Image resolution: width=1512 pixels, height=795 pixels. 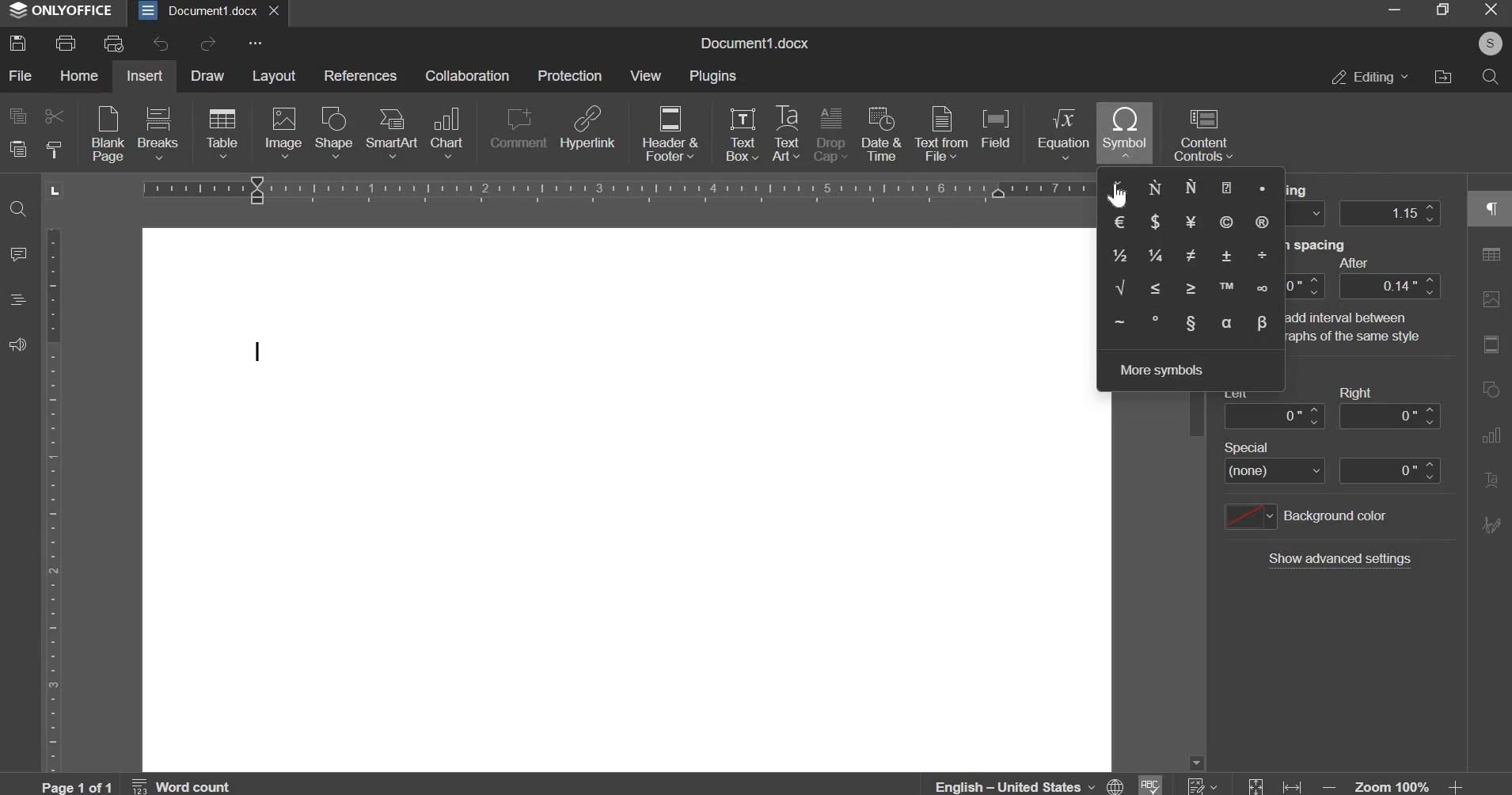 What do you see at coordinates (1332, 471) in the screenshot?
I see `special` at bounding box center [1332, 471].